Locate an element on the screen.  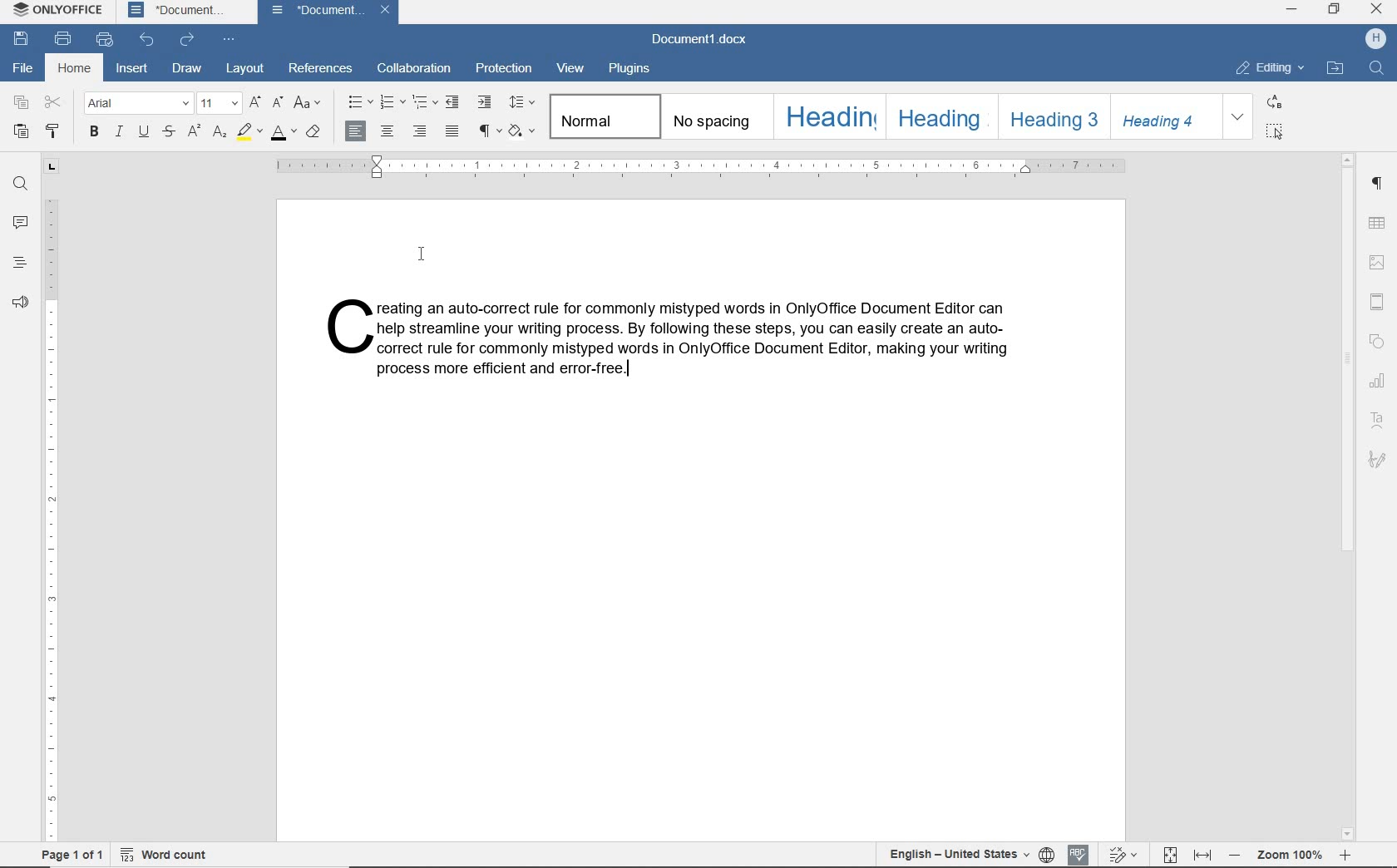
FIT TO WIDTH is located at coordinates (1204, 856).